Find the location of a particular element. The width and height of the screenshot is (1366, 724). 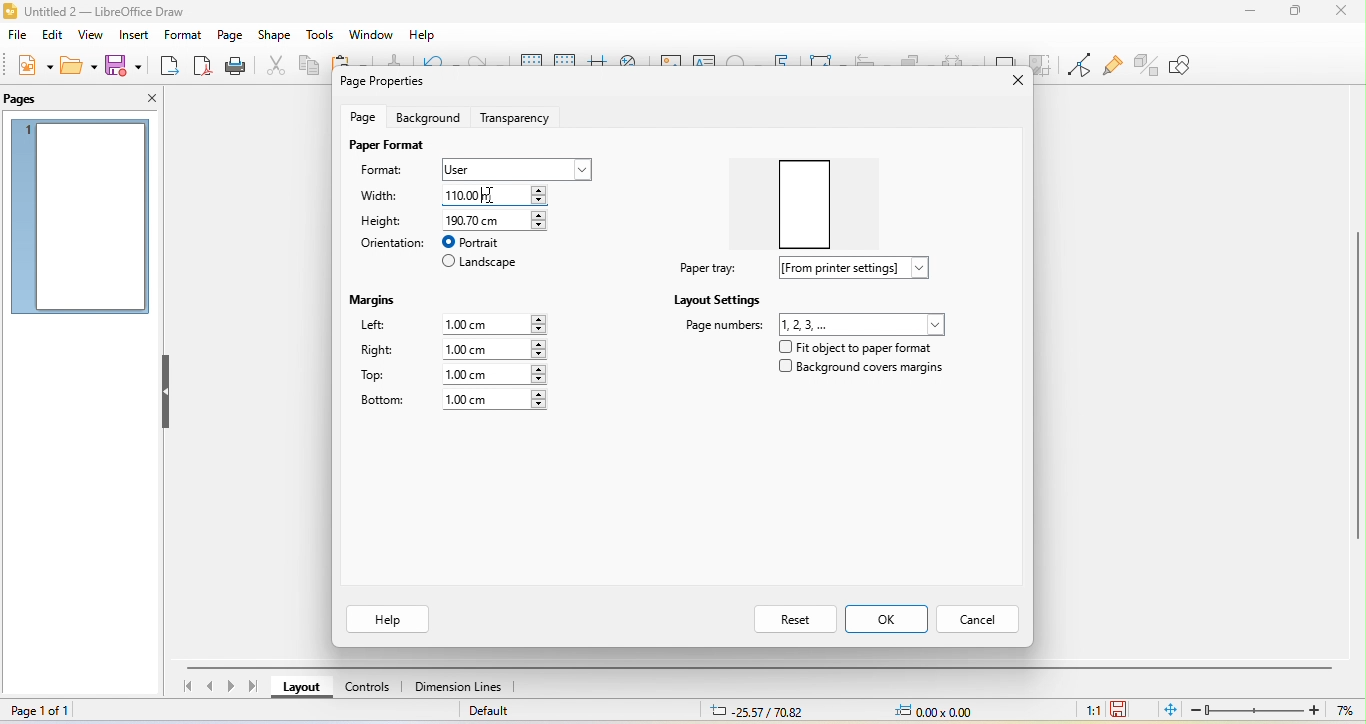

1.00 cm is located at coordinates (494, 374).